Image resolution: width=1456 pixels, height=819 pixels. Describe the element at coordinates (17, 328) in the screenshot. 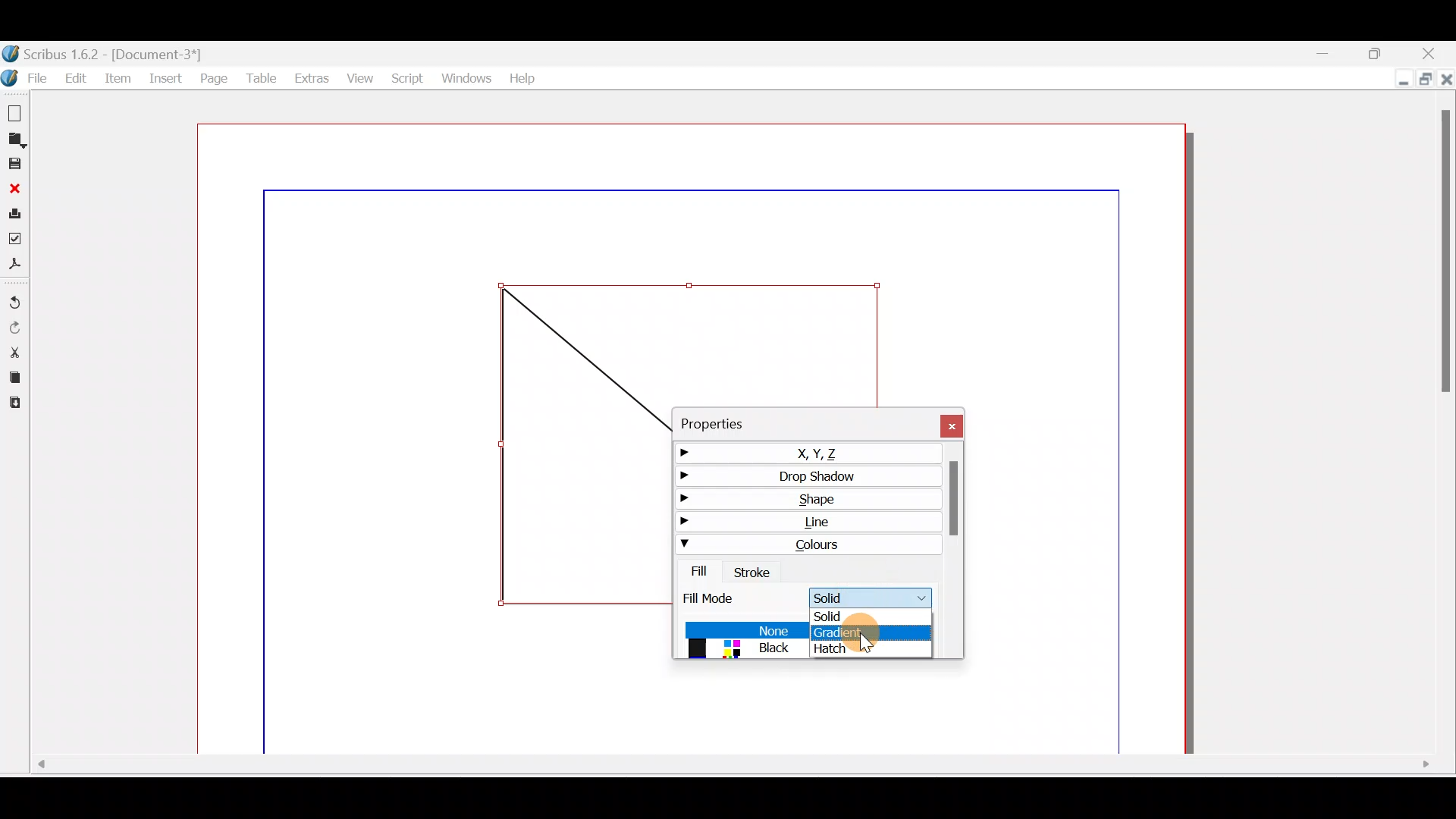

I see `Redo` at that location.